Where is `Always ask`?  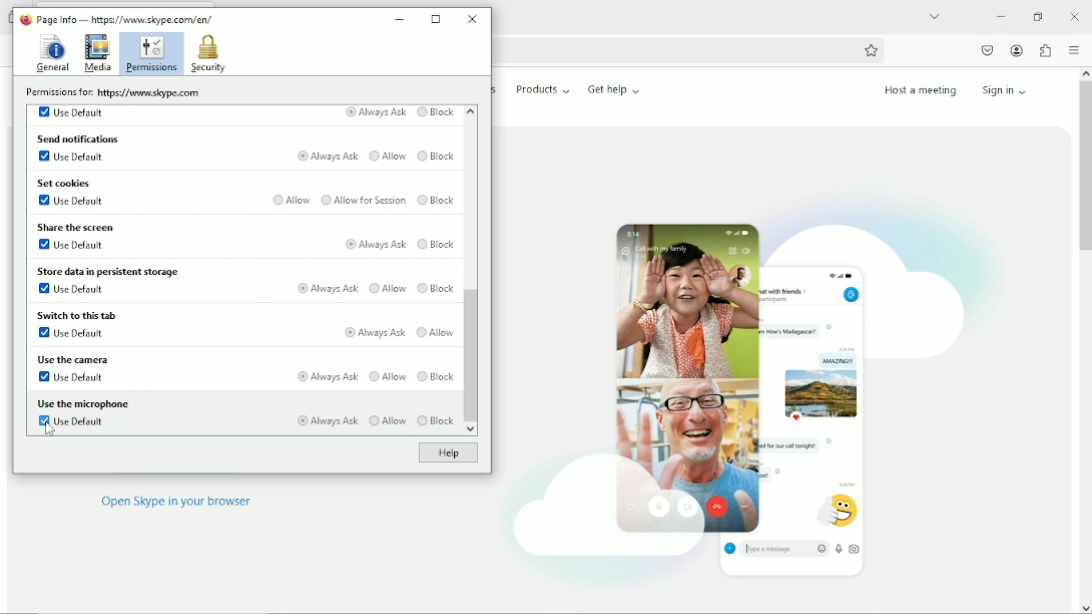
Always ask is located at coordinates (326, 287).